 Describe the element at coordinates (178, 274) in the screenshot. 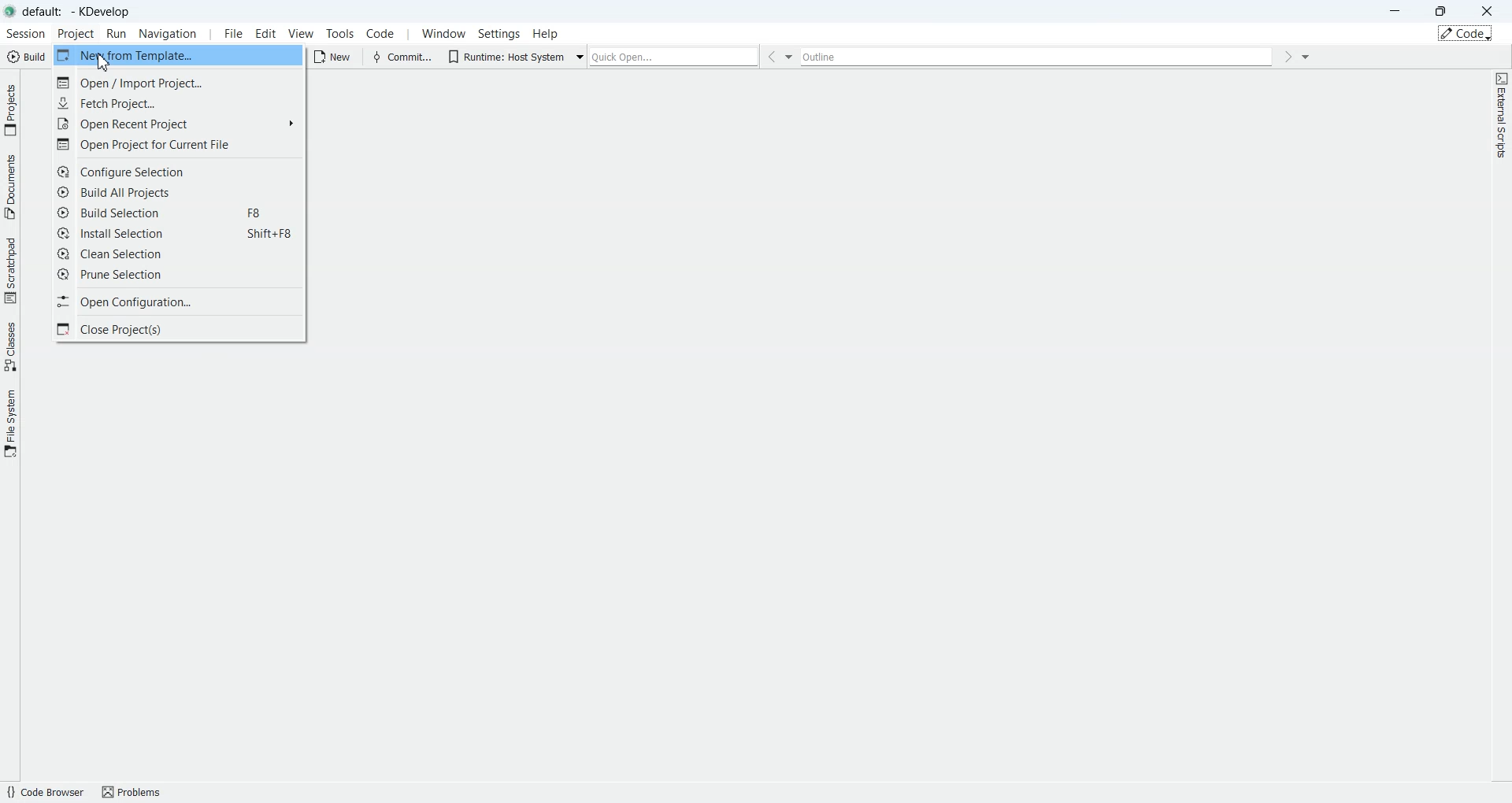

I see `Prune Selection` at that location.